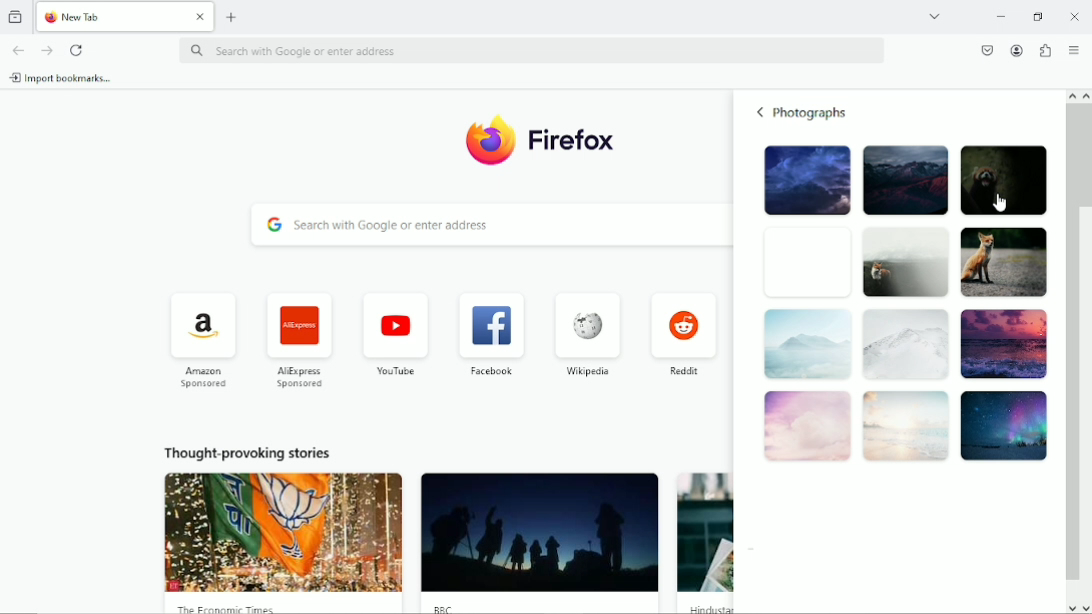 The width and height of the screenshot is (1092, 614). Describe the element at coordinates (986, 50) in the screenshot. I see `Save to pocket` at that location.